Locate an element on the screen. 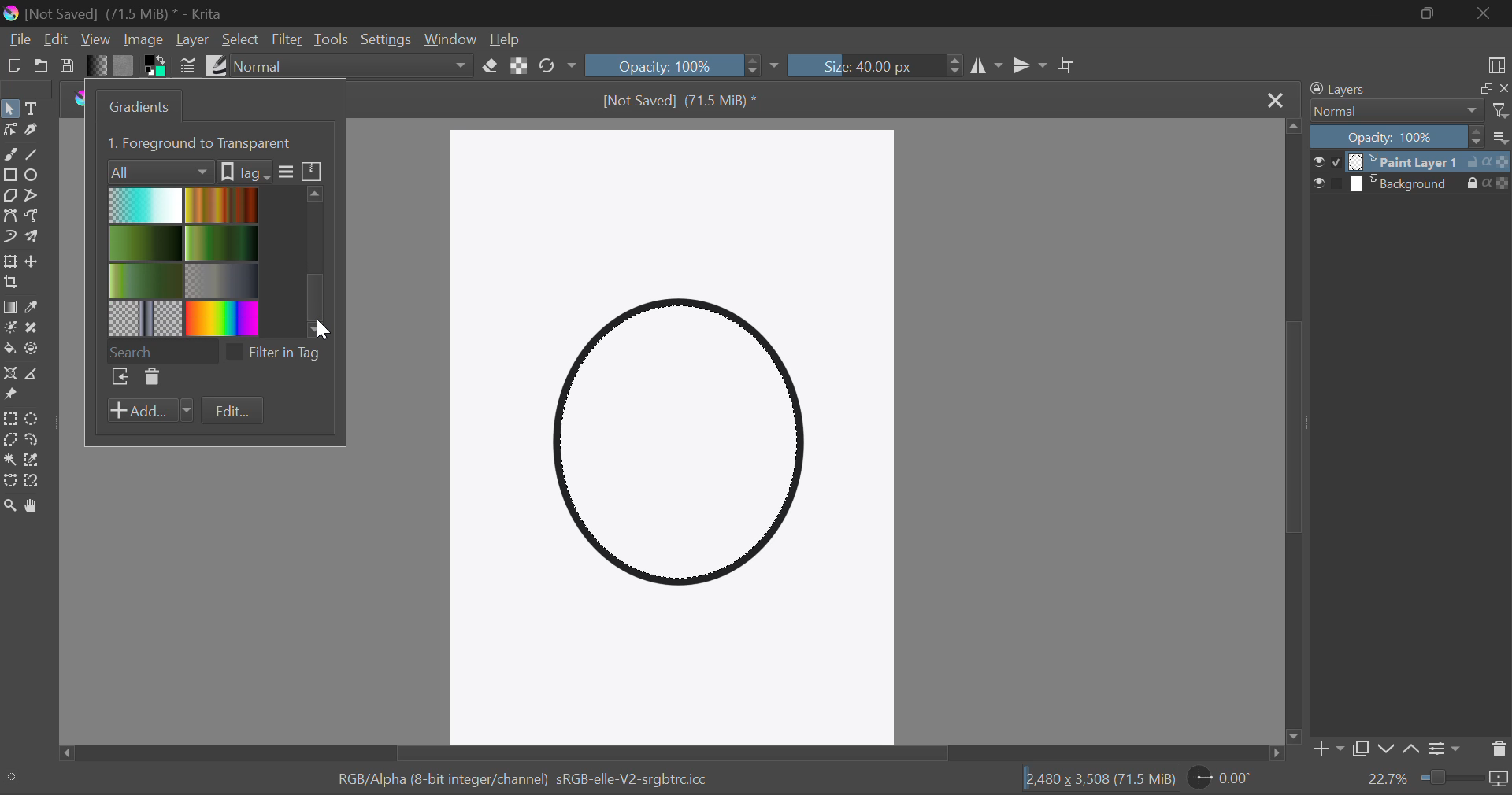 This screenshot has height=795, width=1512. cursor is located at coordinates (324, 331).